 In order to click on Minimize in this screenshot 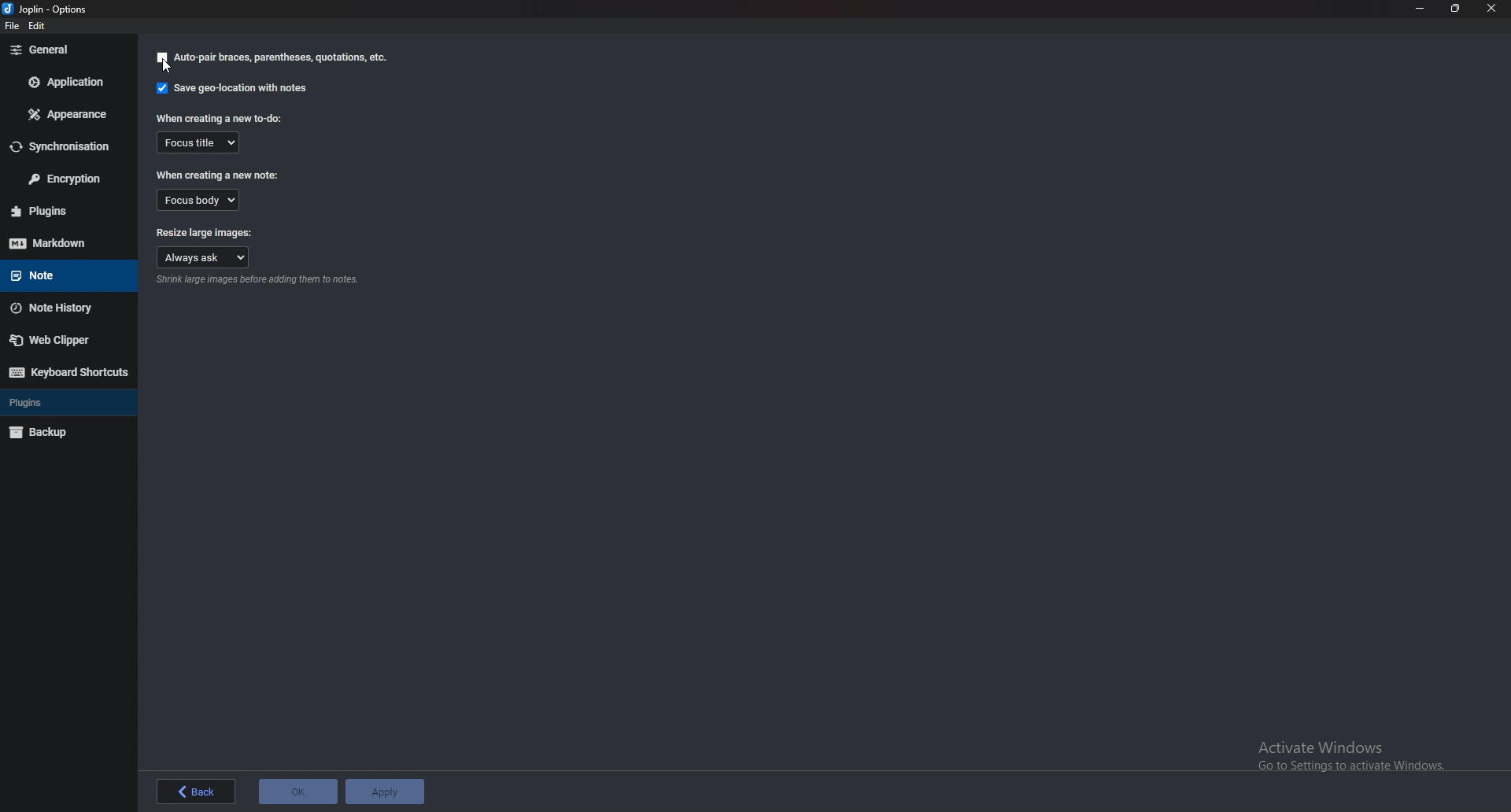, I will do `click(1420, 8)`.